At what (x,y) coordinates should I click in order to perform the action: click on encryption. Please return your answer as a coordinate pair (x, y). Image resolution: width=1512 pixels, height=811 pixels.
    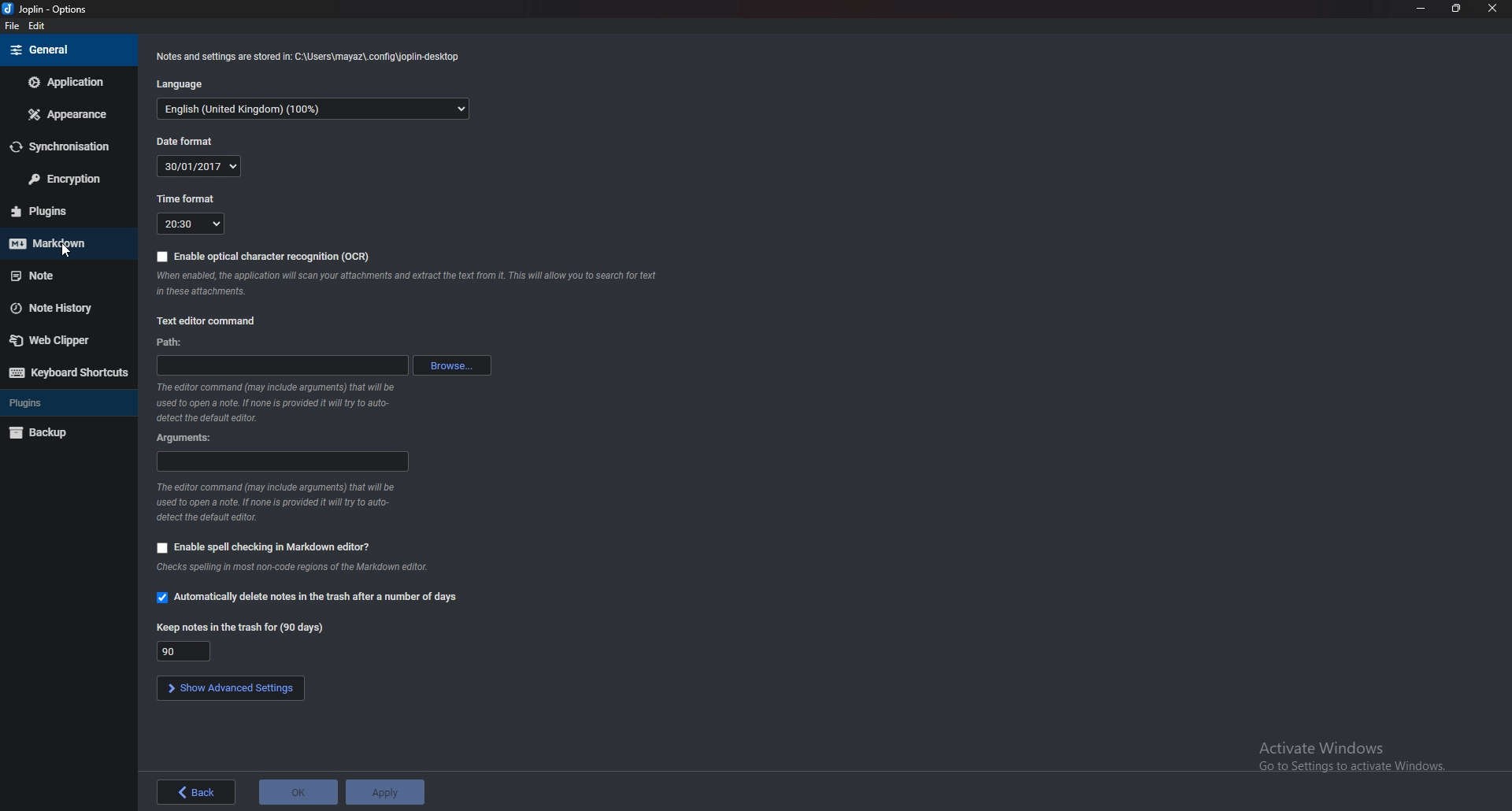
    Looking at the image, I should click on (70, 178).